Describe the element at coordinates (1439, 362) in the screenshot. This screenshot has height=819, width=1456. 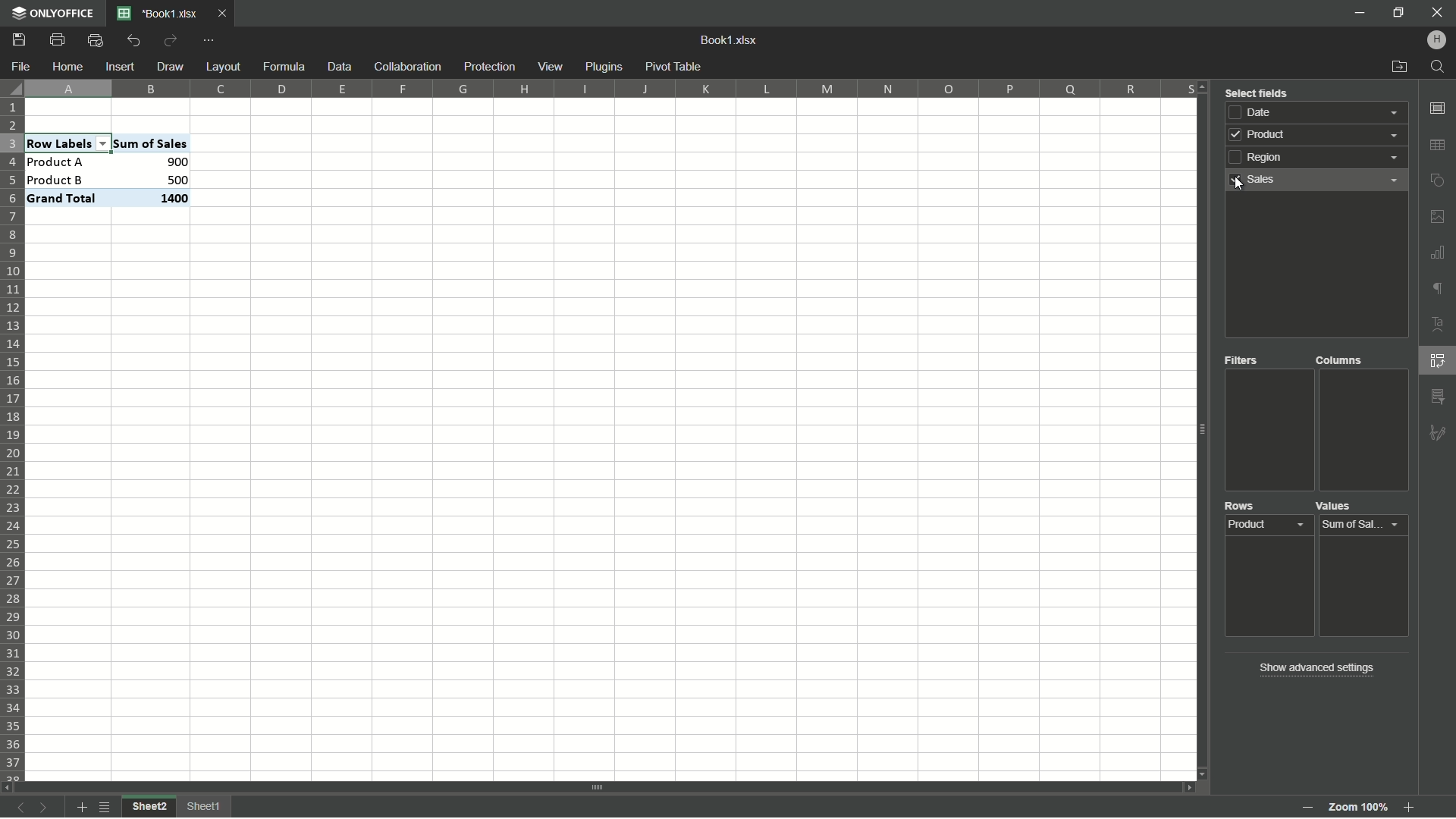
I see `insert pivot table` at that location.